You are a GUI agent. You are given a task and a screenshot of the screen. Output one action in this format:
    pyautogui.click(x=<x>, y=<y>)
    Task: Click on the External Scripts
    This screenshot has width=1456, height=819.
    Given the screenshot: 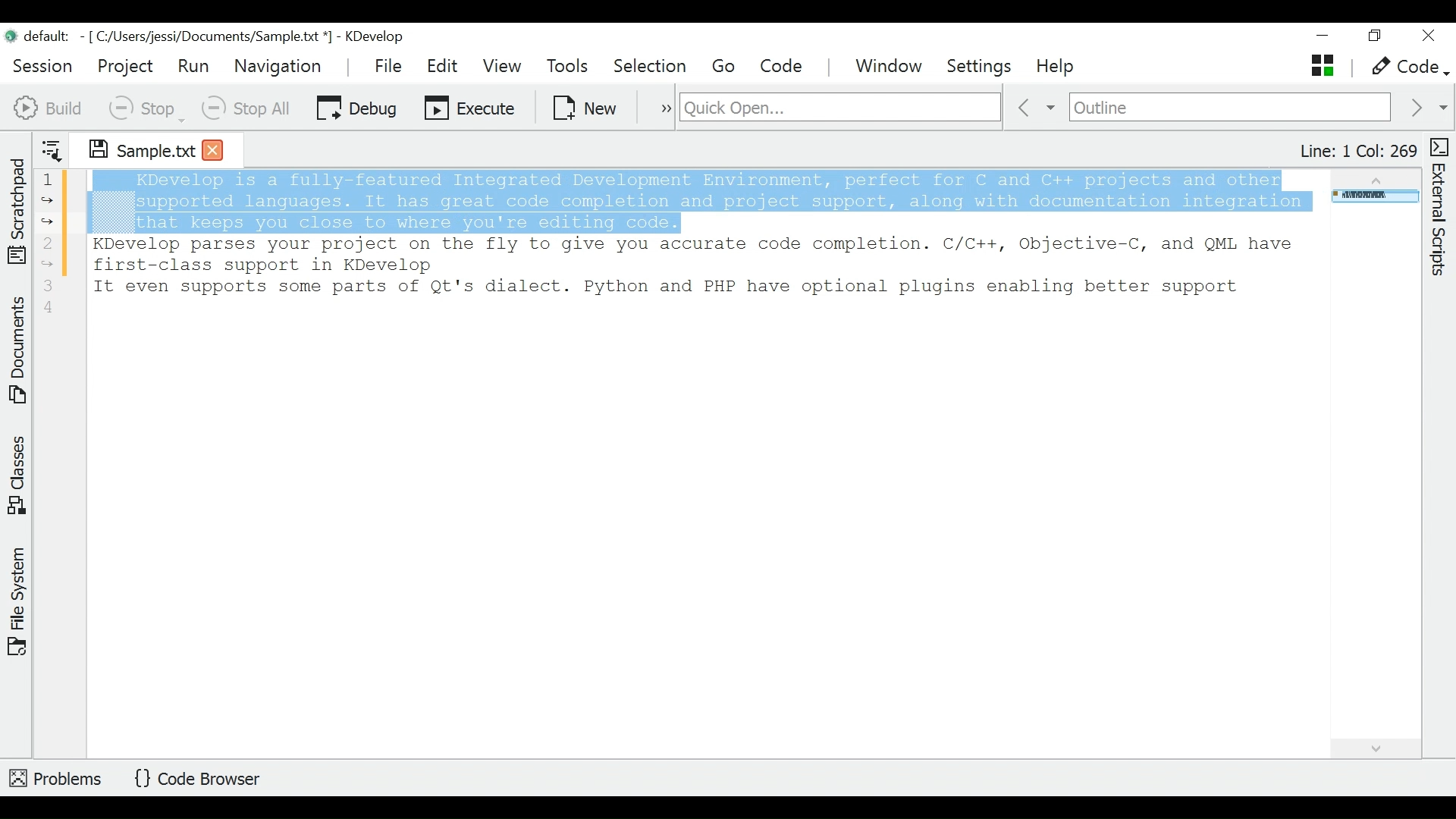 What is the action you would take?
    pyautogui.click(x=1442, y=208)
    